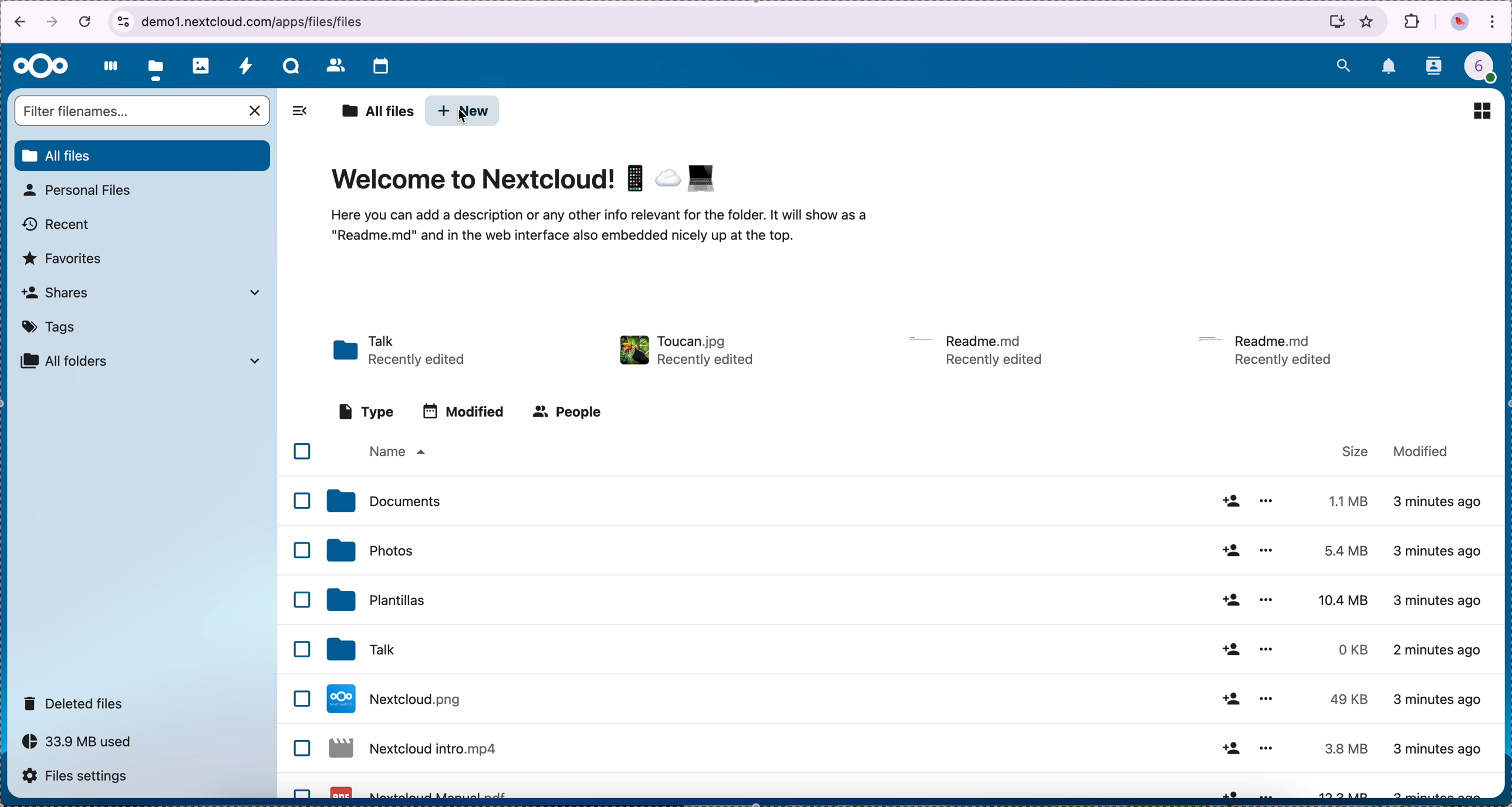  Describe the element at coordinates (1421, 450) in the screenshot. I see `modified` at that location.